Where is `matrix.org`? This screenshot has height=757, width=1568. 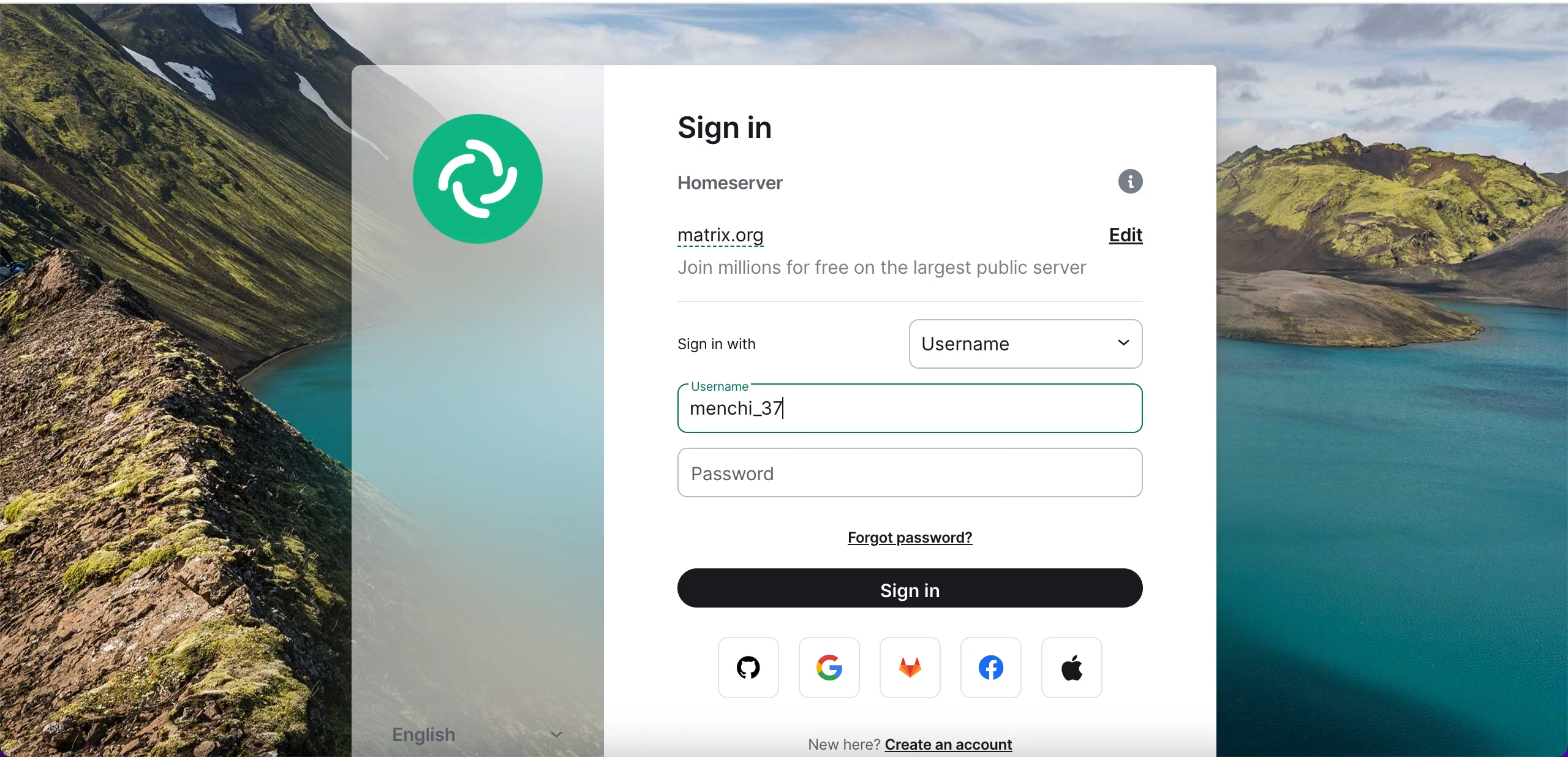
matrix.org is located at coordinates (784, 238).